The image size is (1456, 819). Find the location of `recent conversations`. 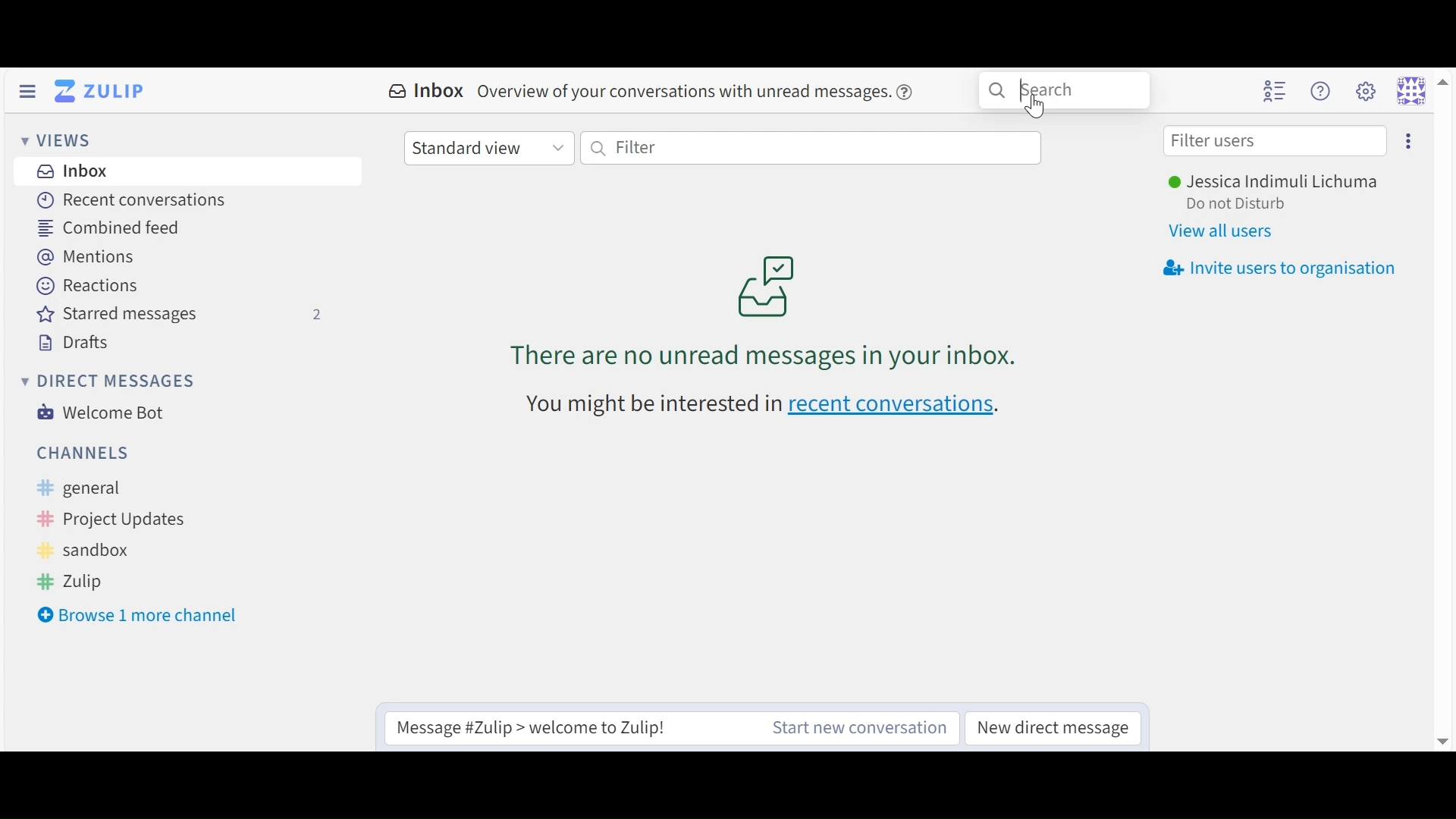

recent conversations is located at coordinates (767, 405).